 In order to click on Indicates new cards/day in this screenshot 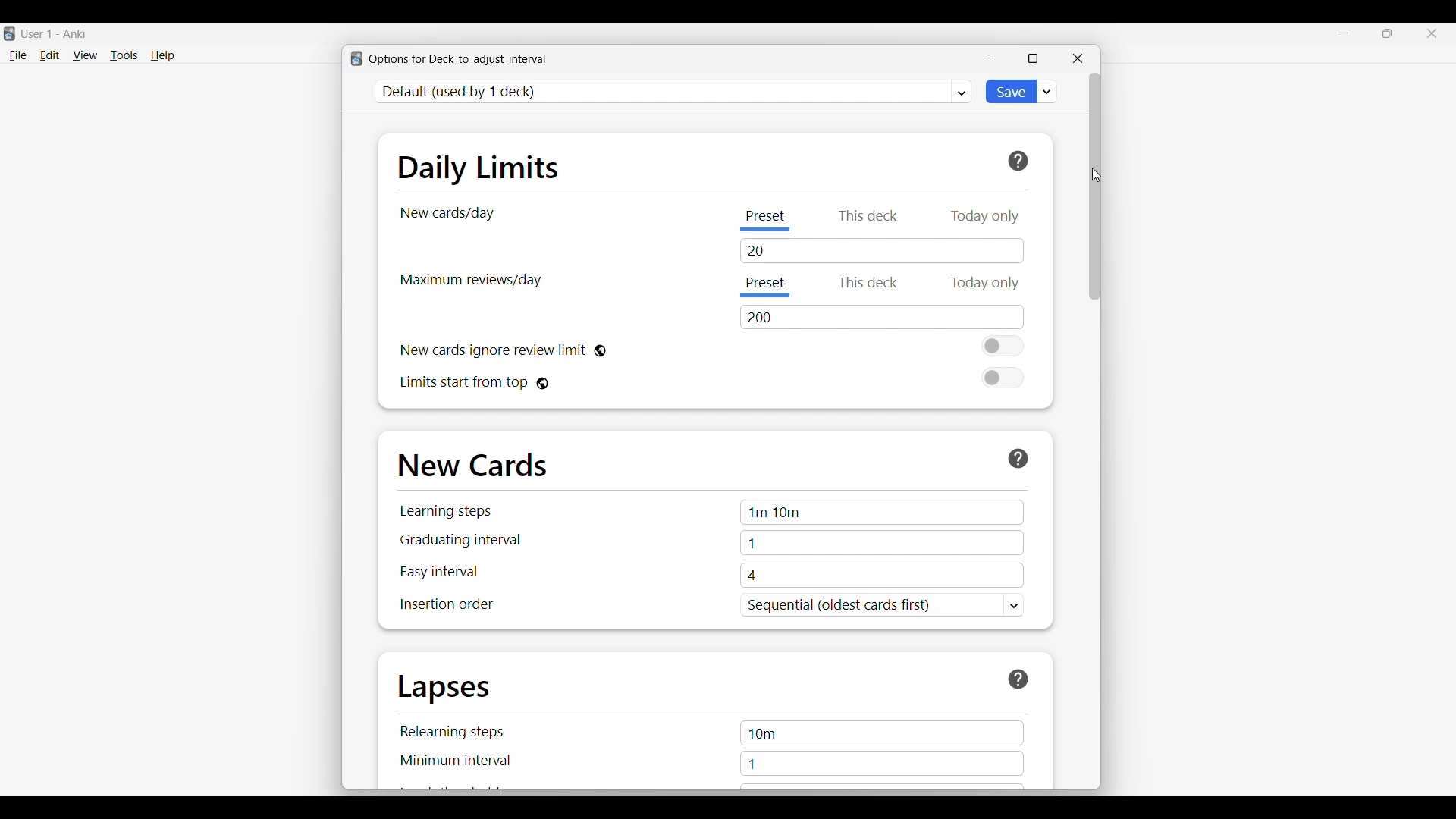, I will do `click(447, 214)`.